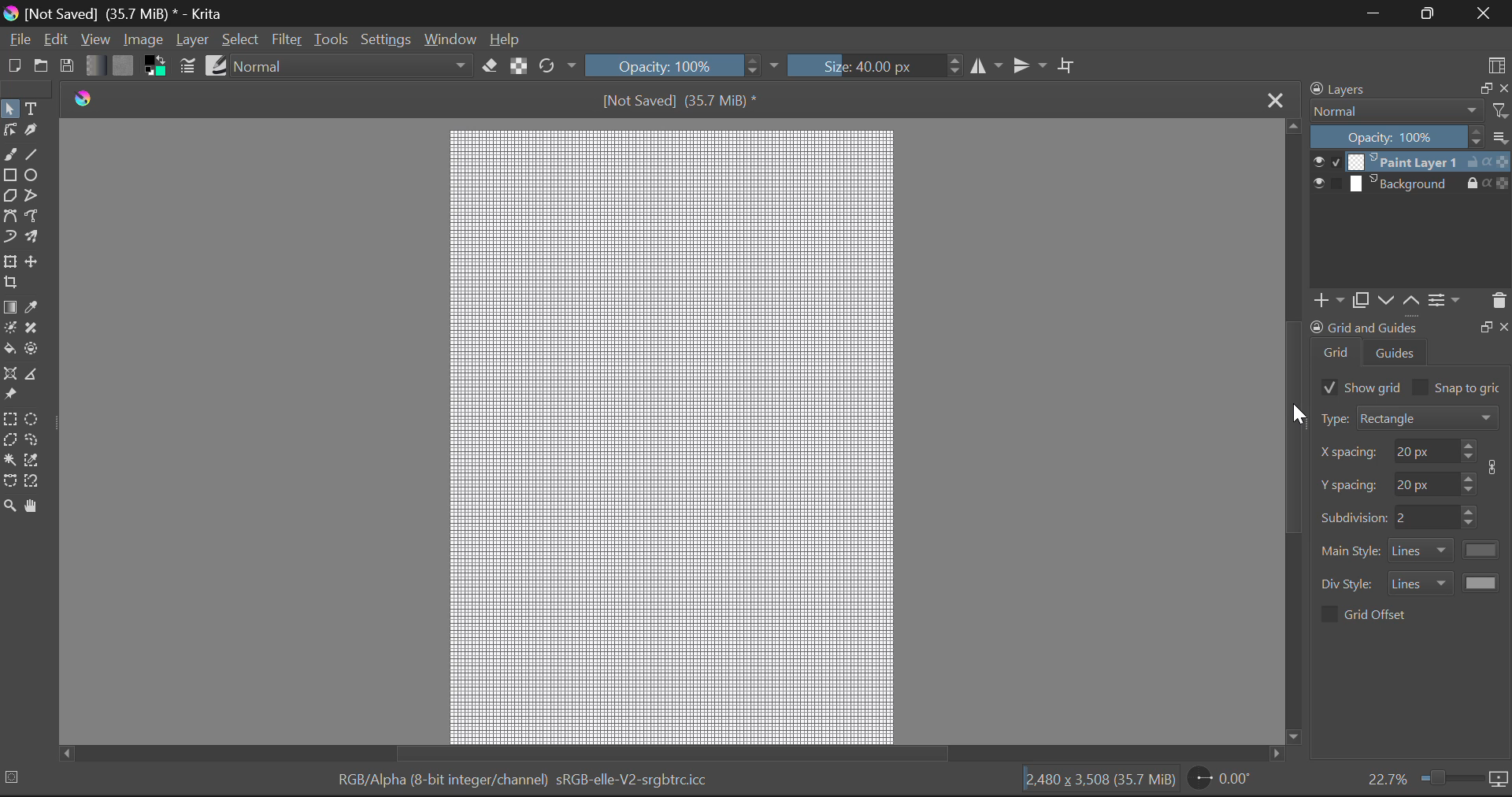 The image size is (1512, 797). Describe the element at coordinates (66, 63) in the screenshot. I see `Save` at that location.